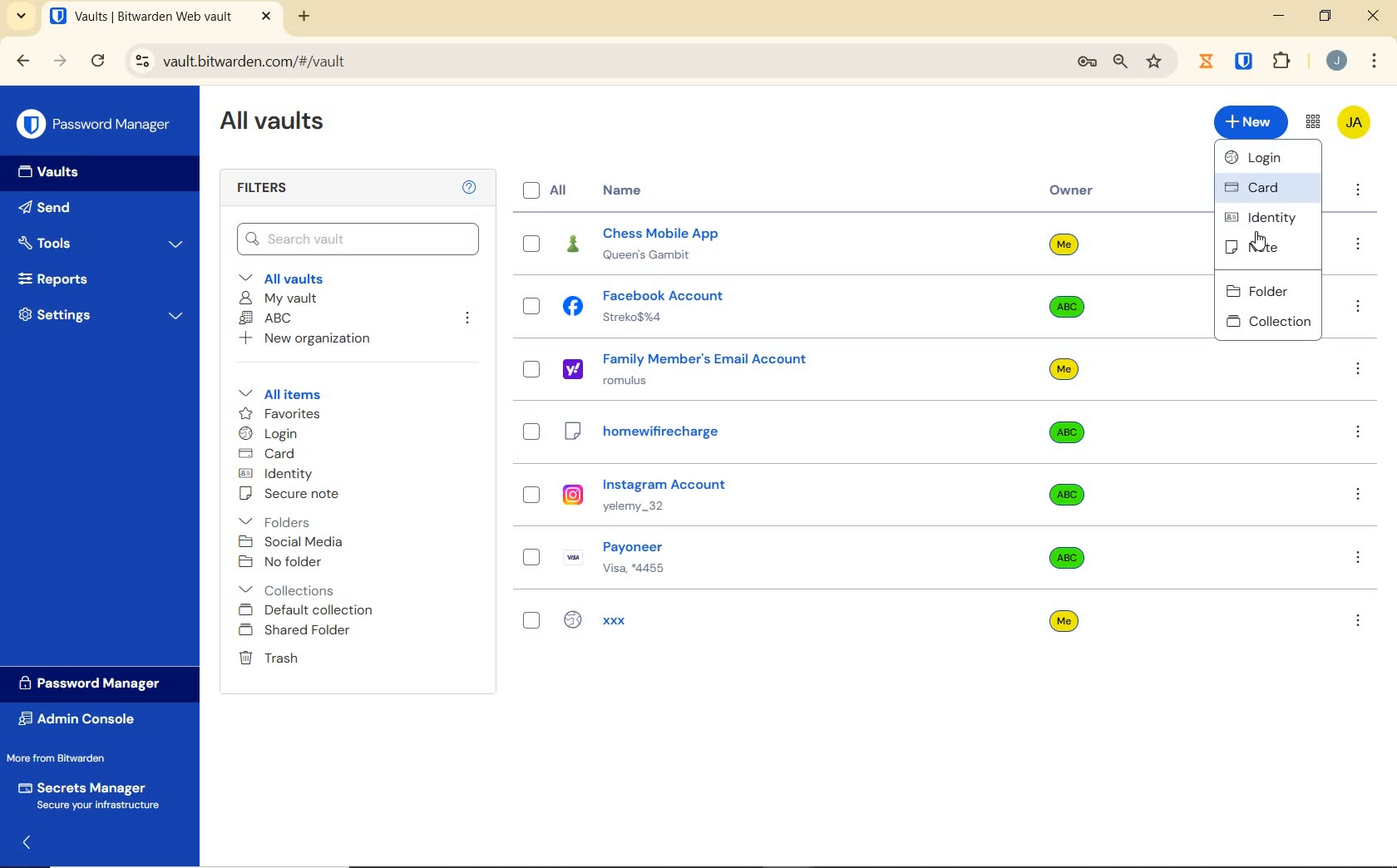  I want to click on more options, so click(1358, 192).